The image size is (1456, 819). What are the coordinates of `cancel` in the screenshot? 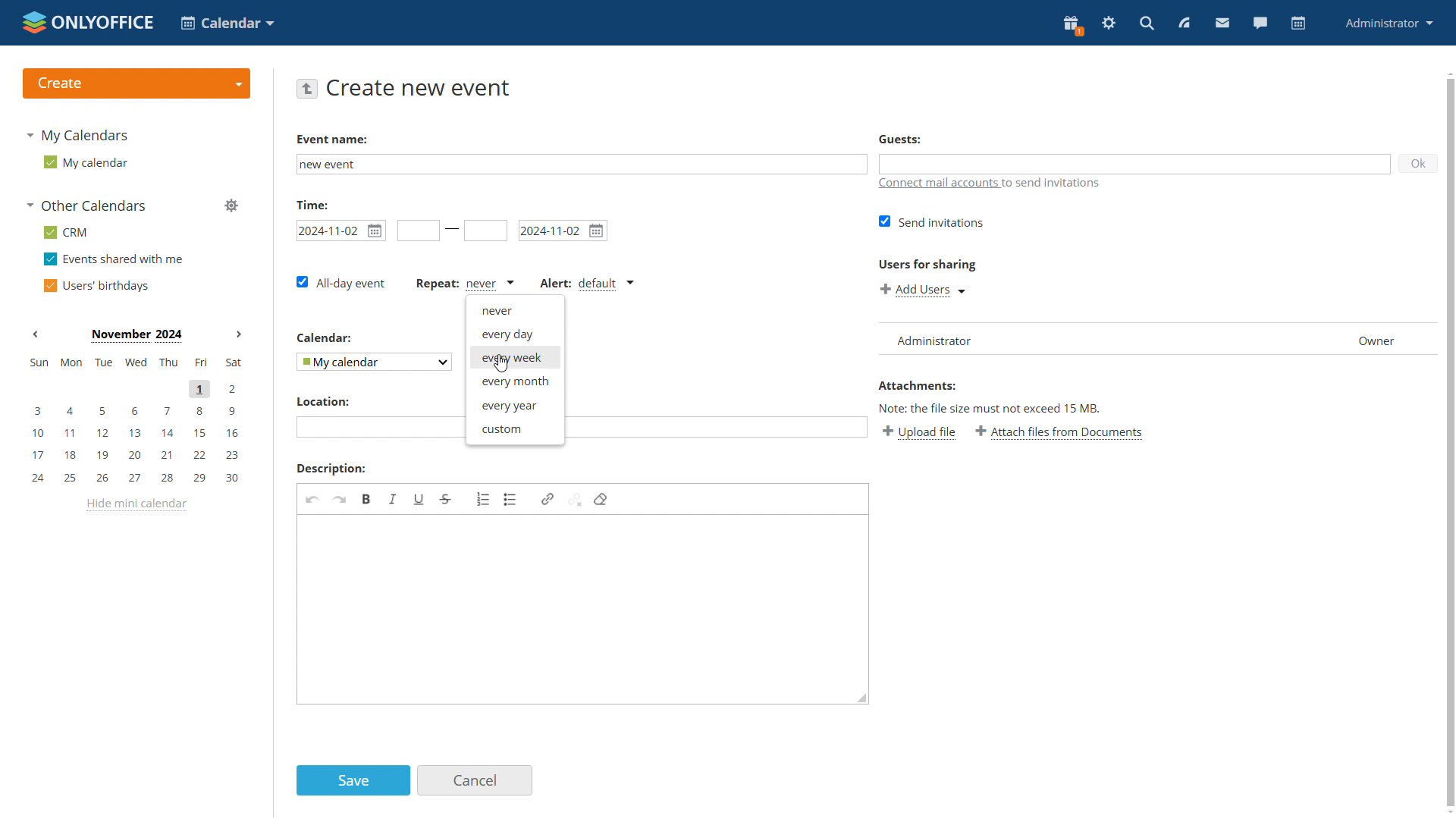 It's located at (476, 780).